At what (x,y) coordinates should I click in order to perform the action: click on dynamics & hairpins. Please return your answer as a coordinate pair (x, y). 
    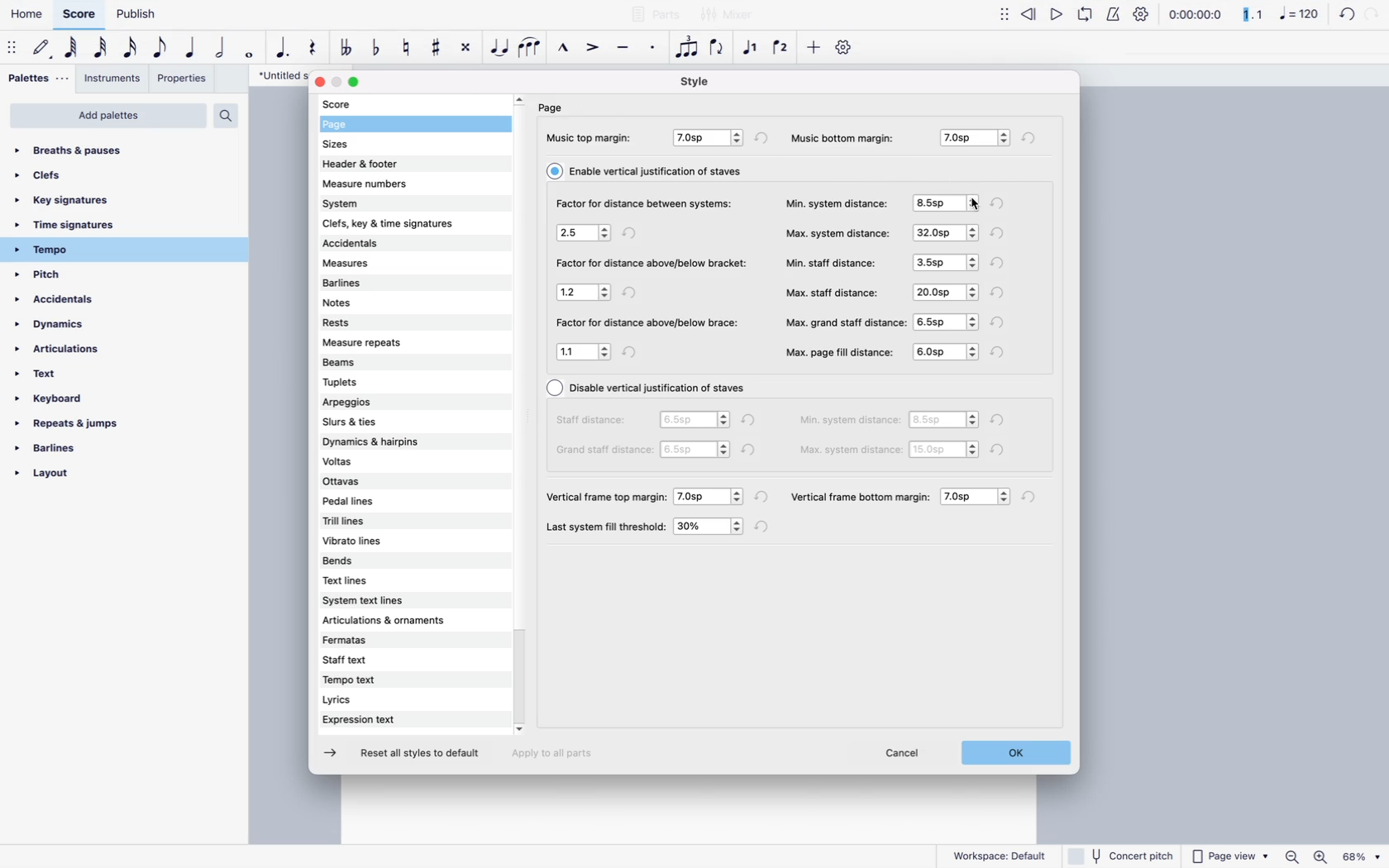
    Looking at the image, I should click on (391, 441).